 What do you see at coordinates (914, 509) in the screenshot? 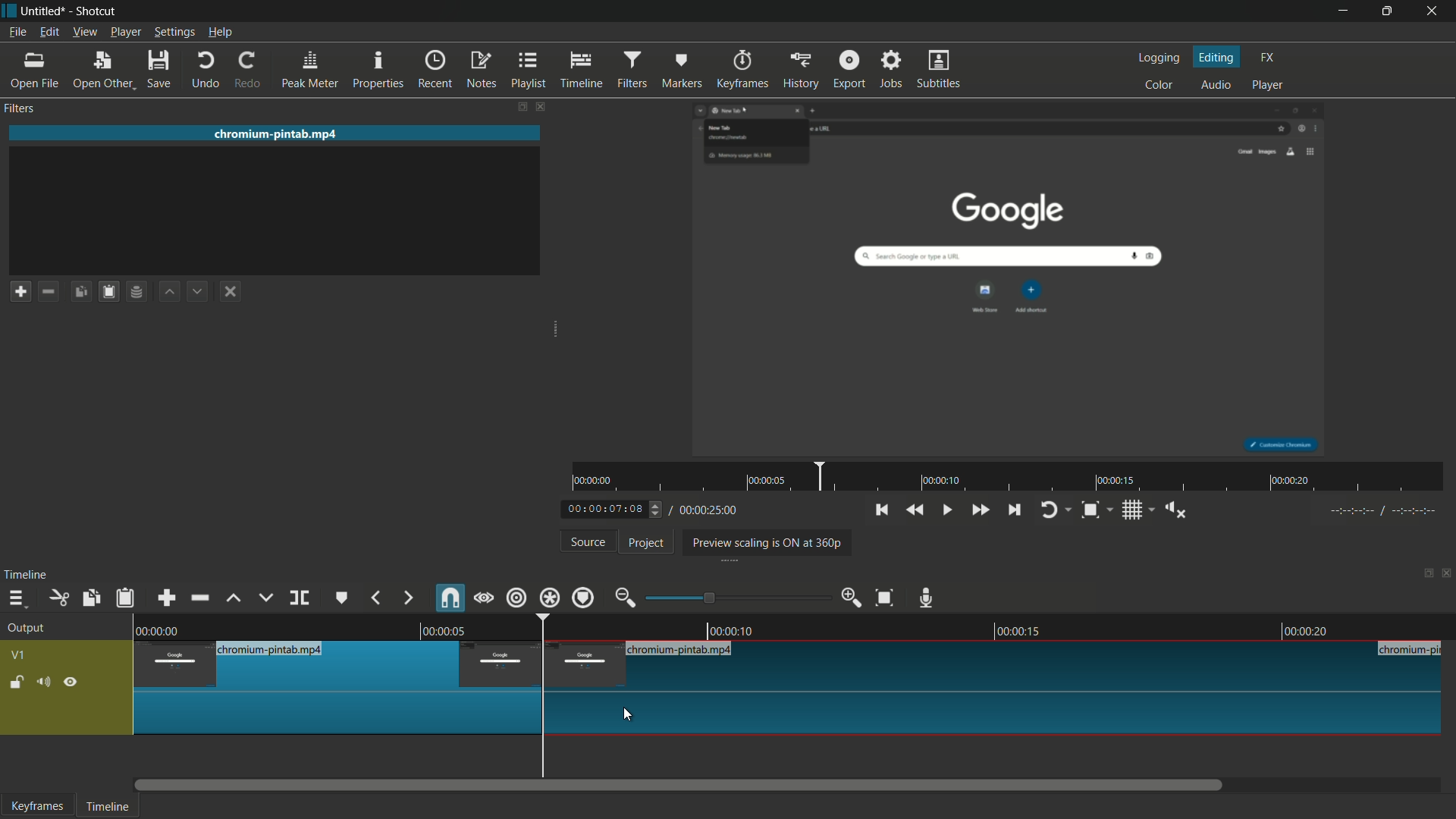
I see `quickly play backward` at bounding box center [914, 509].